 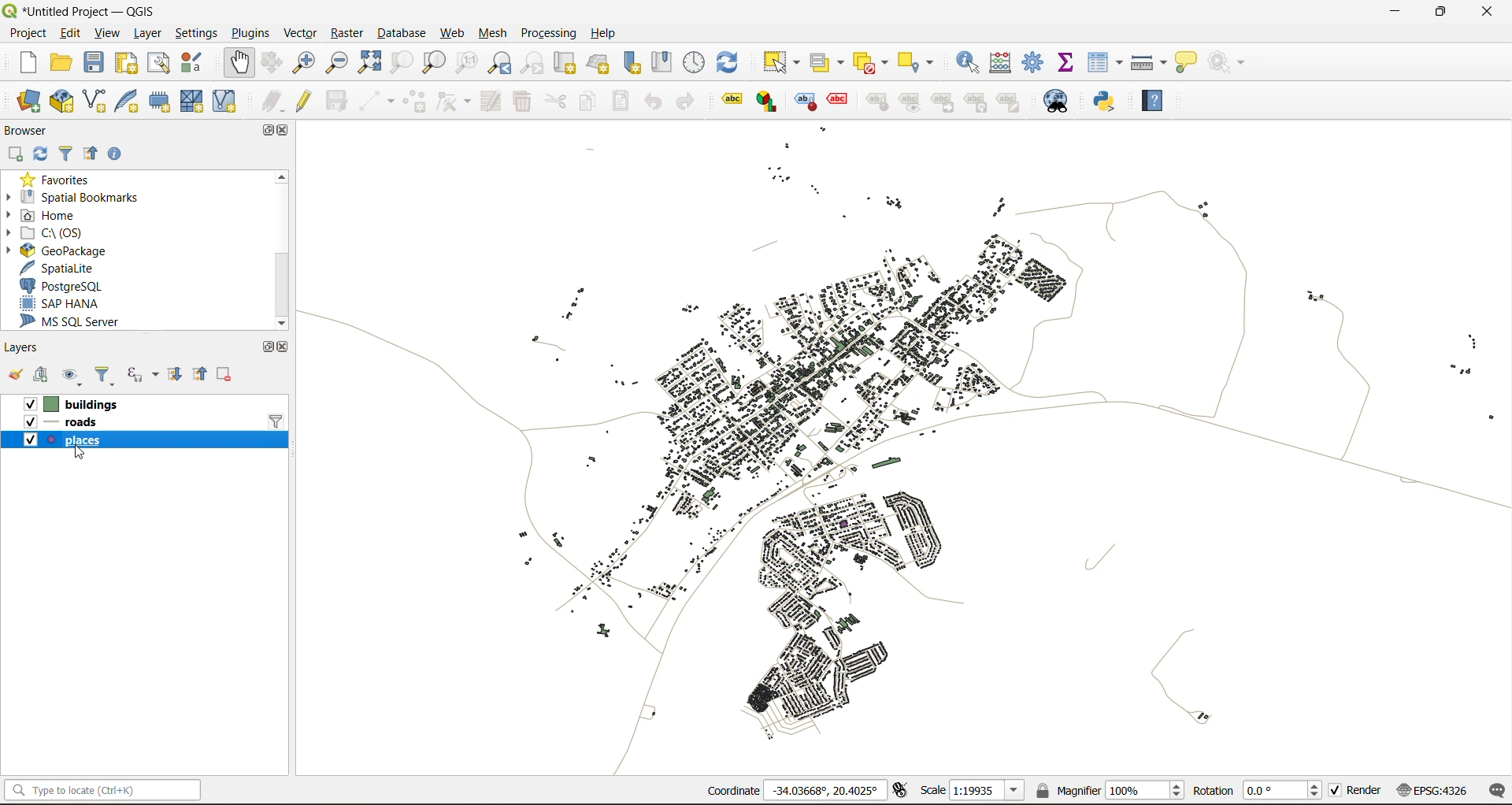 I want to click on help, so click(x=1157, y=97).